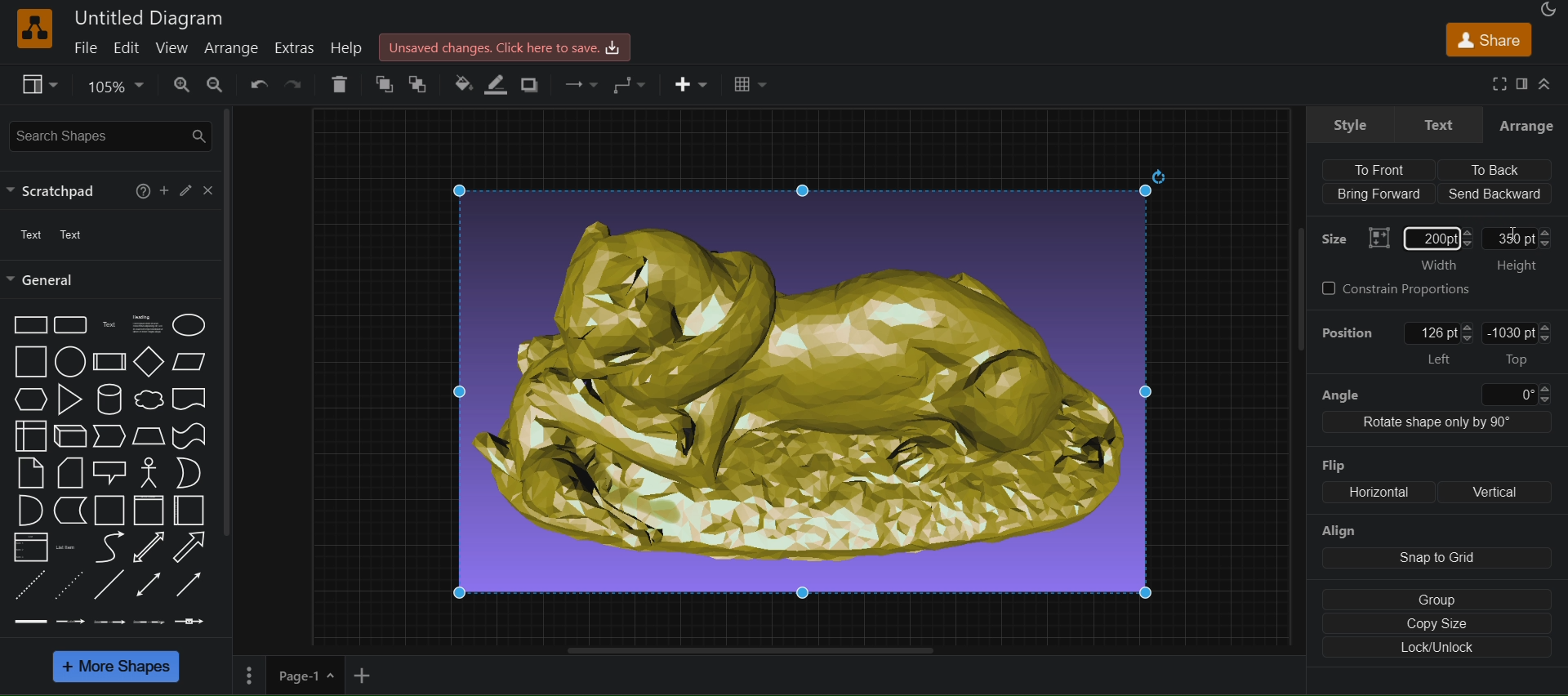 The image size is (1568, 696). Describe the element at coordinates (1334, 465) in the screenshot. I see `Flip` at that location.